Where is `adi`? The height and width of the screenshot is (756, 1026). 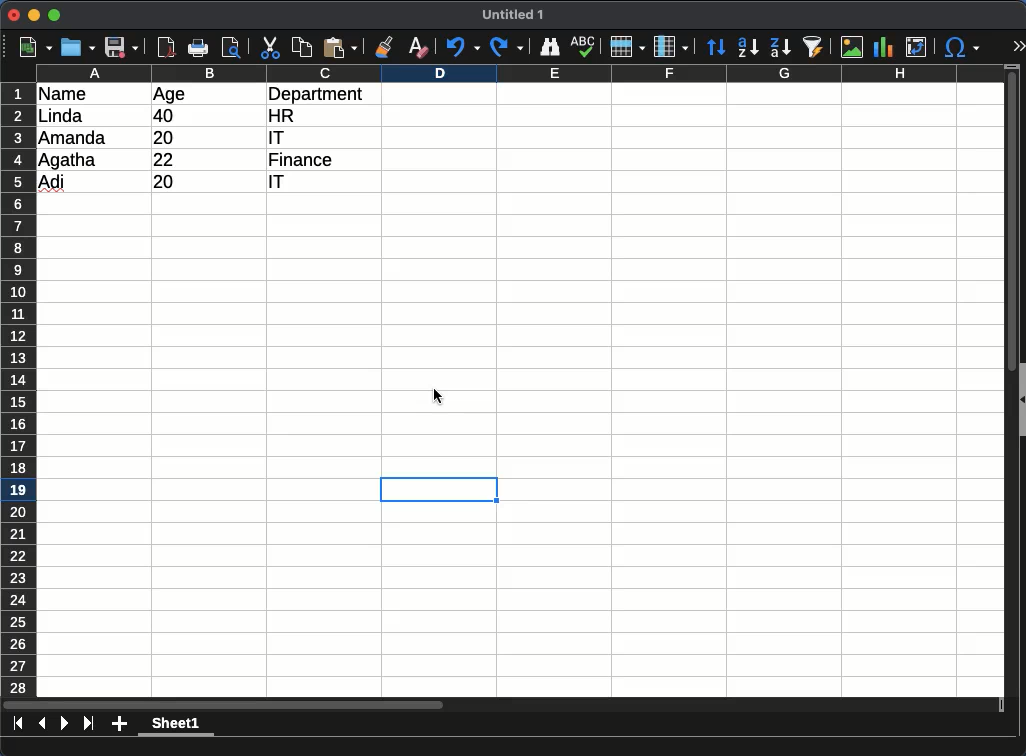 adi is located at coordinates (53, 183).